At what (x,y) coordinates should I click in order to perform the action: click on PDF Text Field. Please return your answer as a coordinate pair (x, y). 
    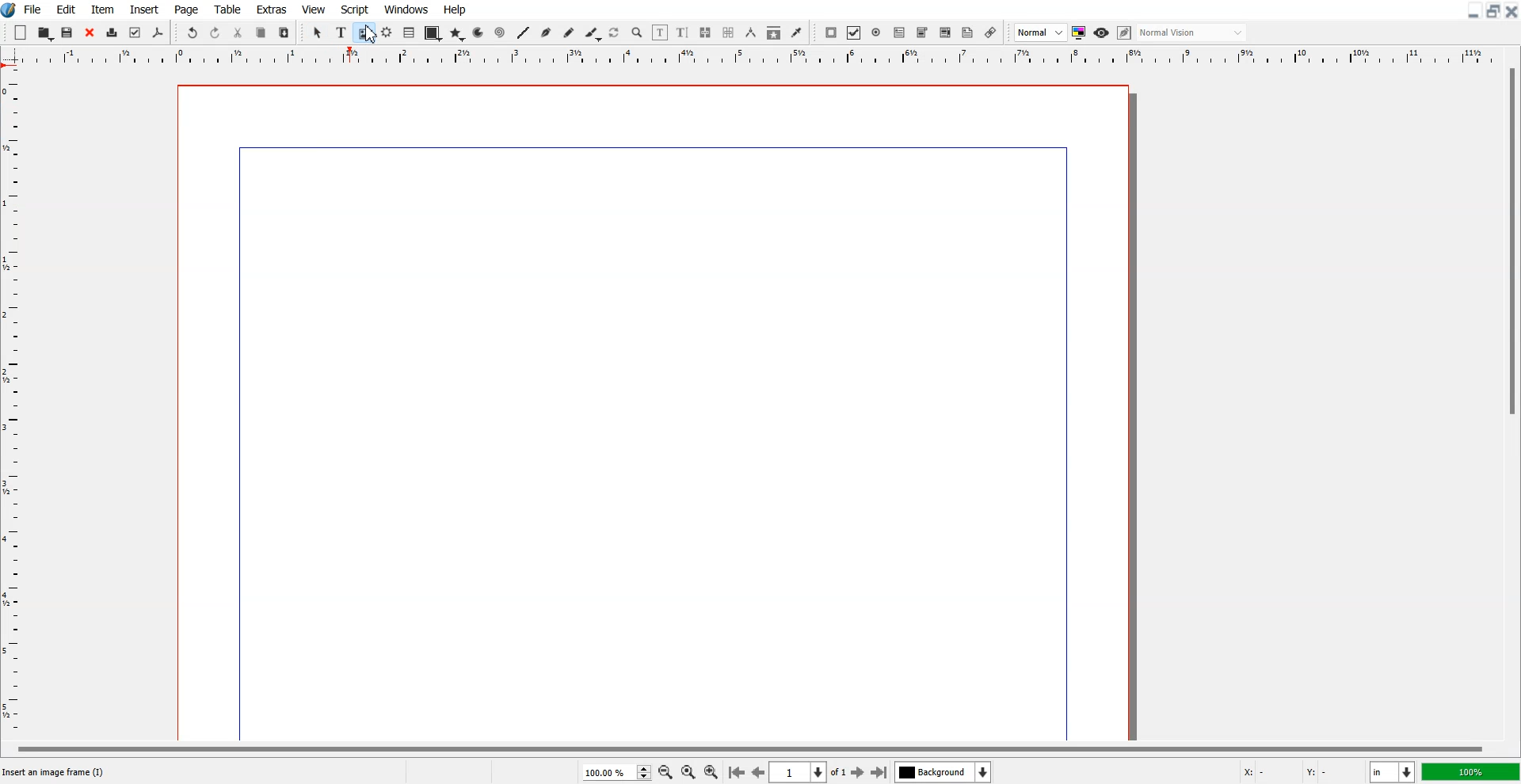
    Looking at the image, I should click on (899, 32).